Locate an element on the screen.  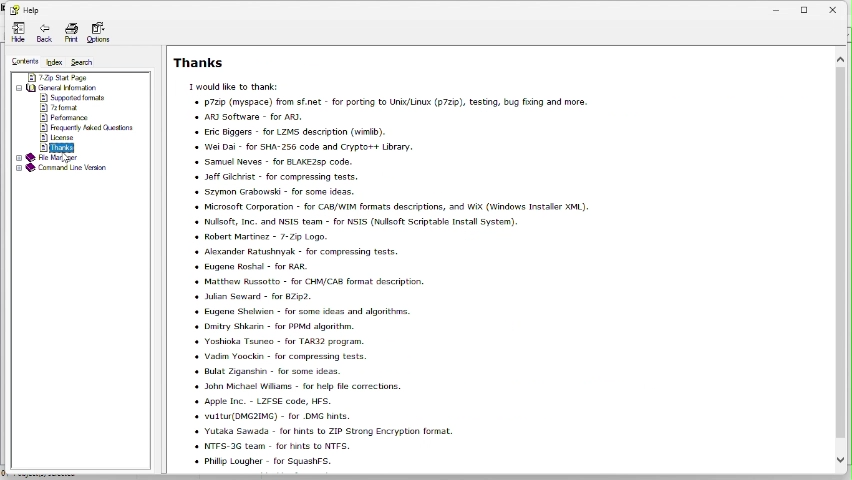
Frequently asked questions is located at coordinates (89, 128).